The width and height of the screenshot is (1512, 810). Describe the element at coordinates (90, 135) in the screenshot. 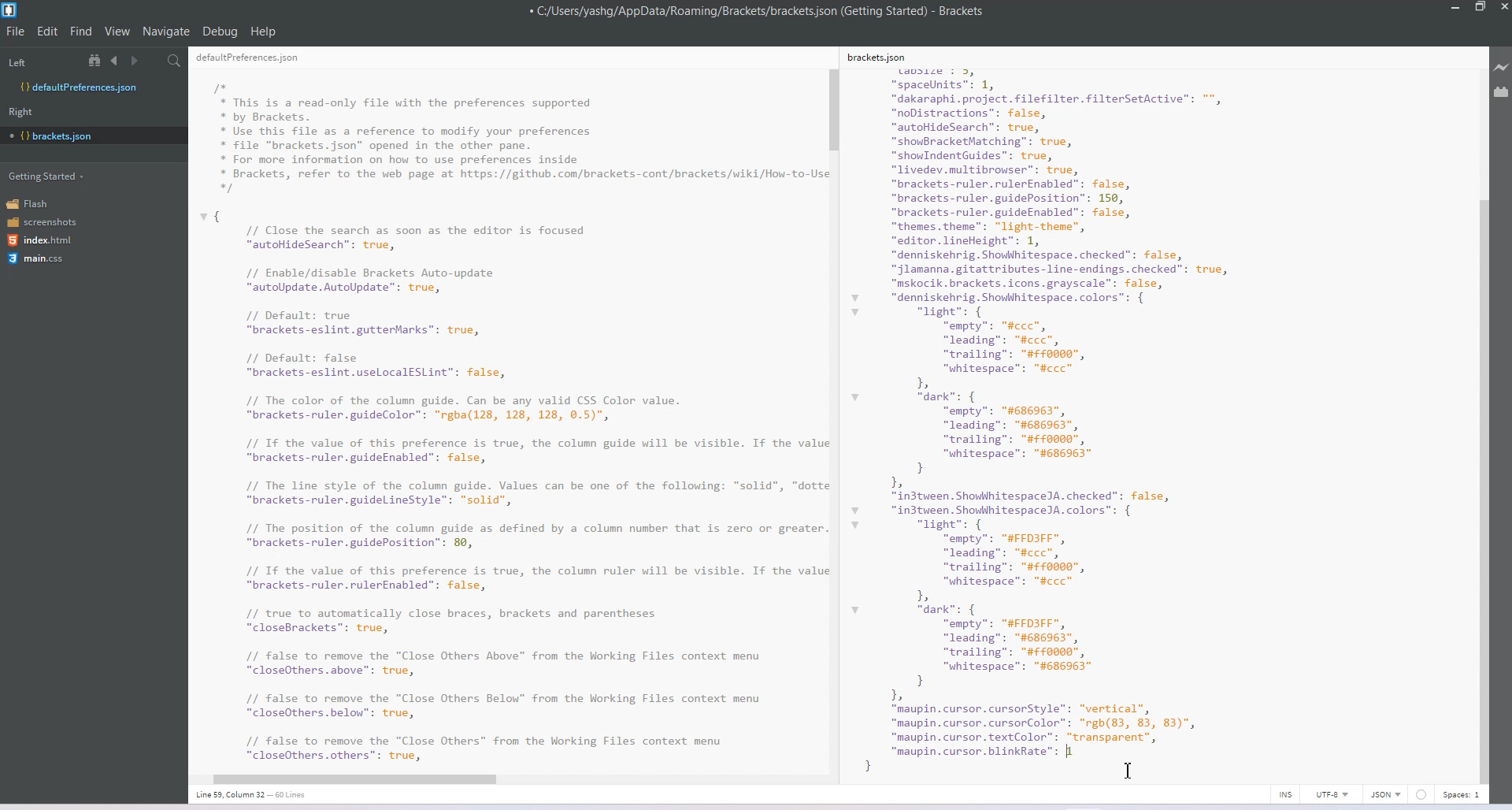

I see `bracket.json` at that location.